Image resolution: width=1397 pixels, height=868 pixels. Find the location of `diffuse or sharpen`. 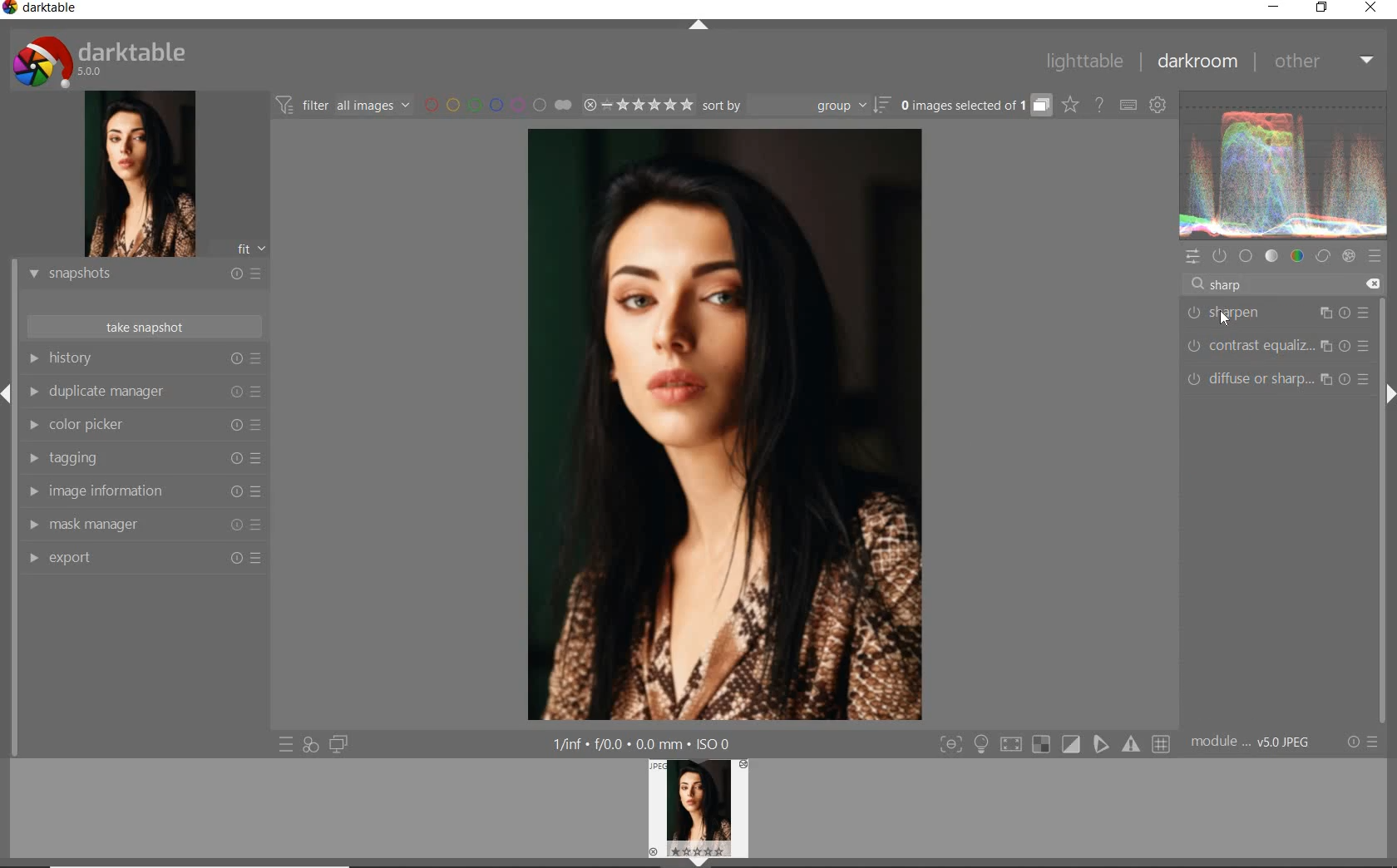

diffuse or sharpen is located at coordinates (1274, 380).